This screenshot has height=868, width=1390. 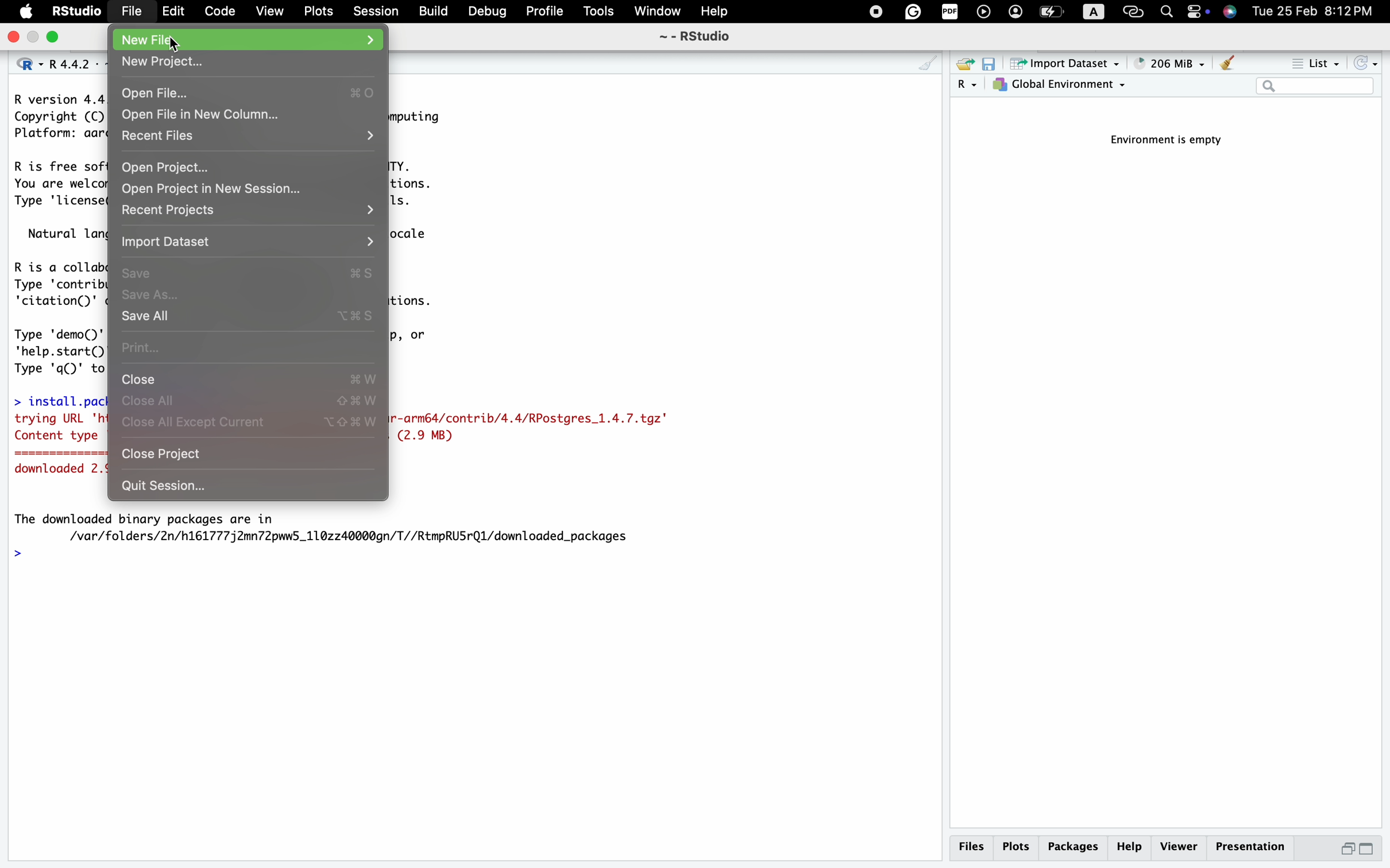 What do you see at coordinates (269, 12) in the screenshot?
I see `View` at bounding box center [269, 12].